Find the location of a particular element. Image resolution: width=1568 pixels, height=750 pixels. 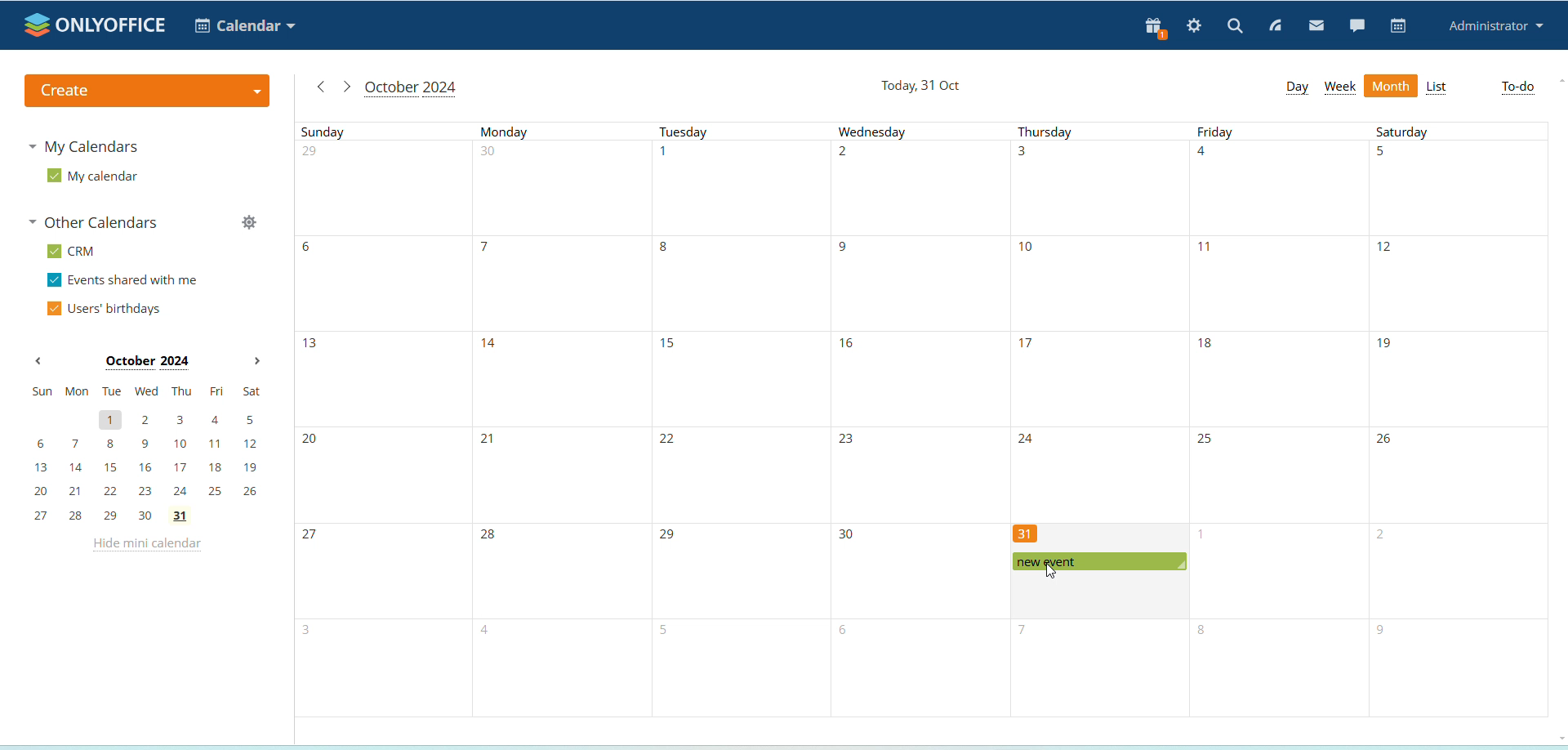

month view is located at coordinates (1392, 87).